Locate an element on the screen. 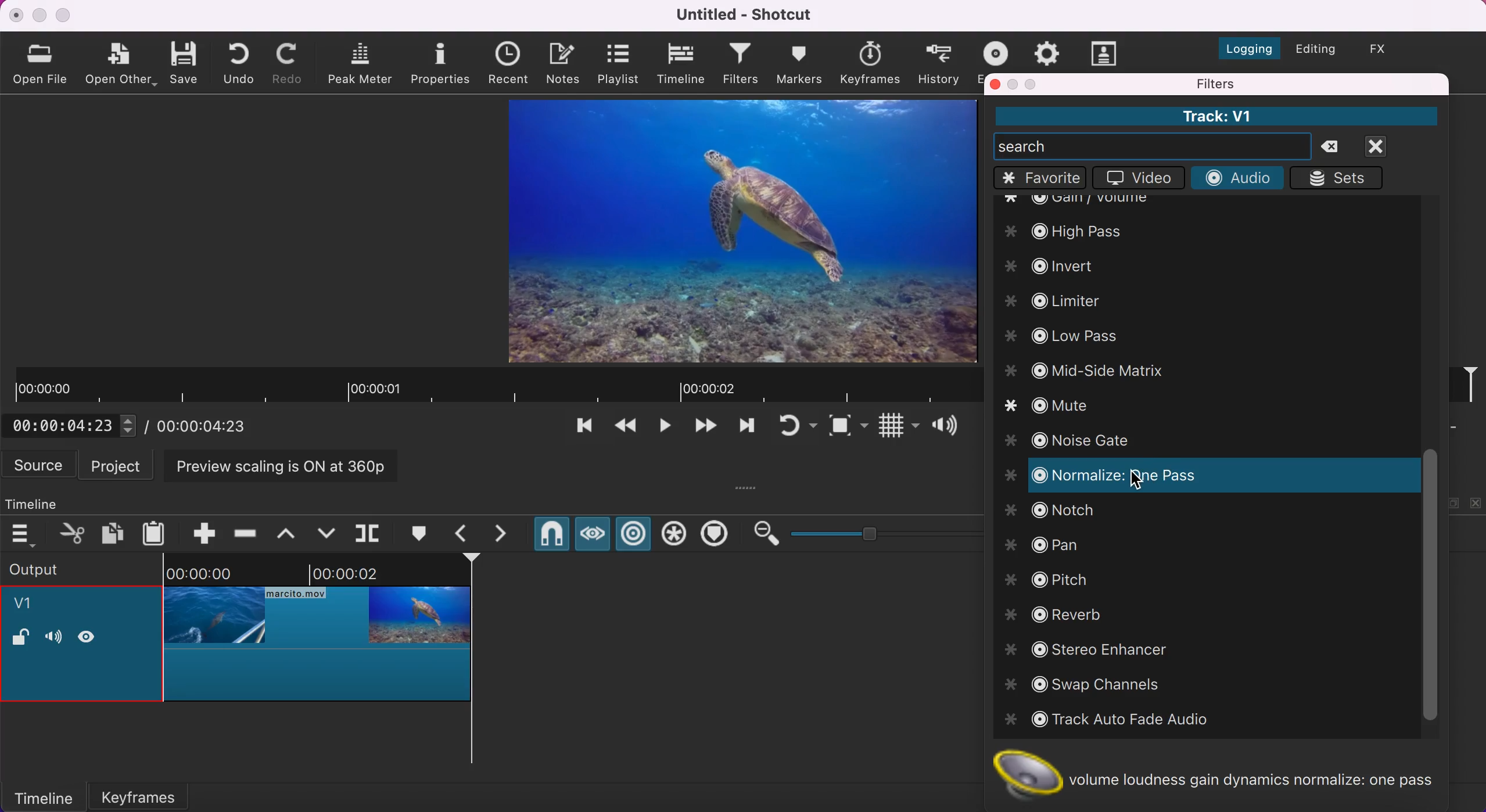  Untitled - Shotcut is located at coordinates (747, 15).